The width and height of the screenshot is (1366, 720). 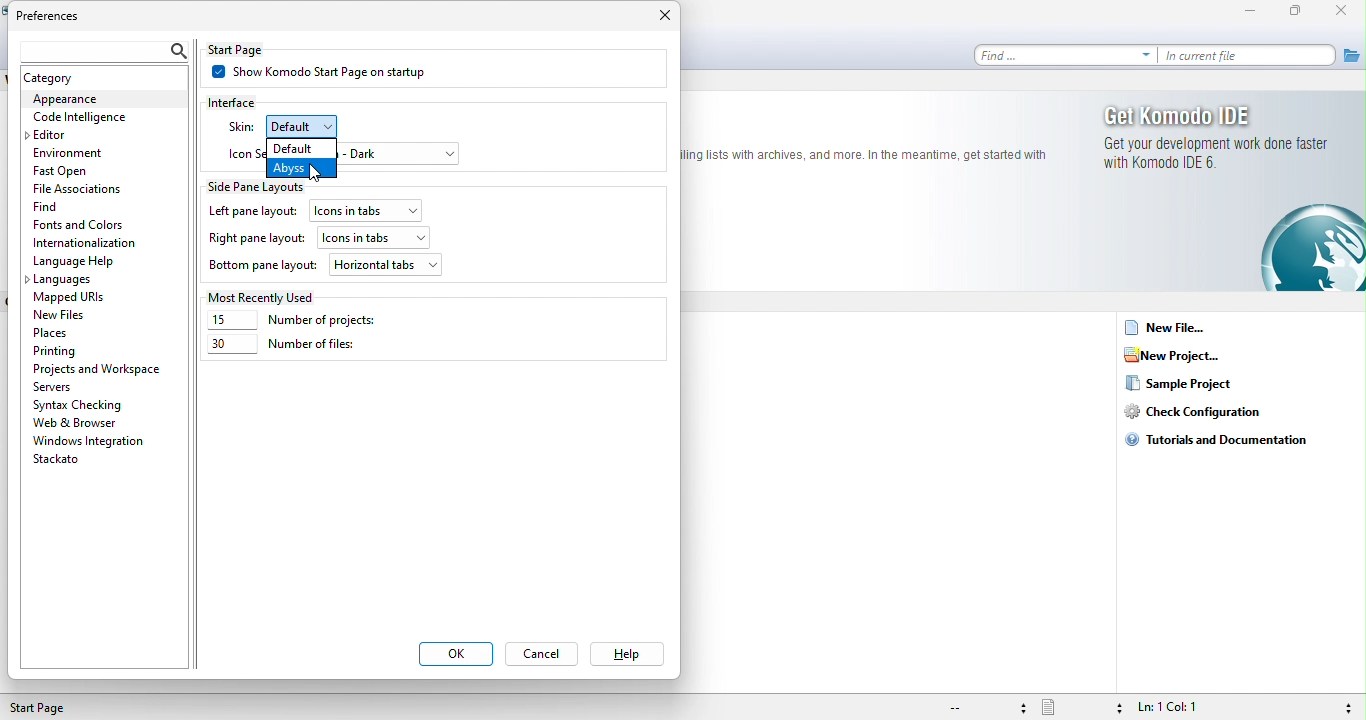 What do you see at coordinates (253, 49) in the screenshot?
I see `start page` at bounding box center [253, 49].